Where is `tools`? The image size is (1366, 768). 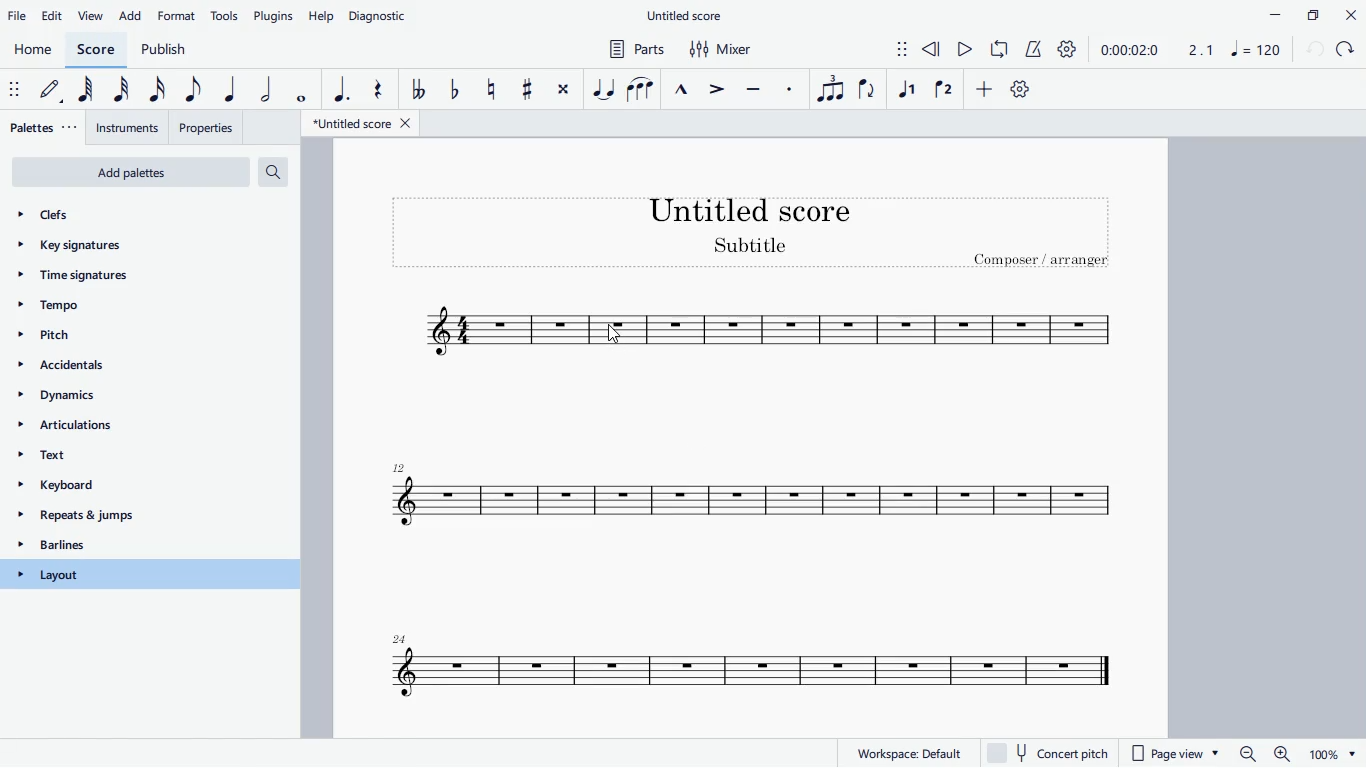 tools is located at coordinates (226, 14).